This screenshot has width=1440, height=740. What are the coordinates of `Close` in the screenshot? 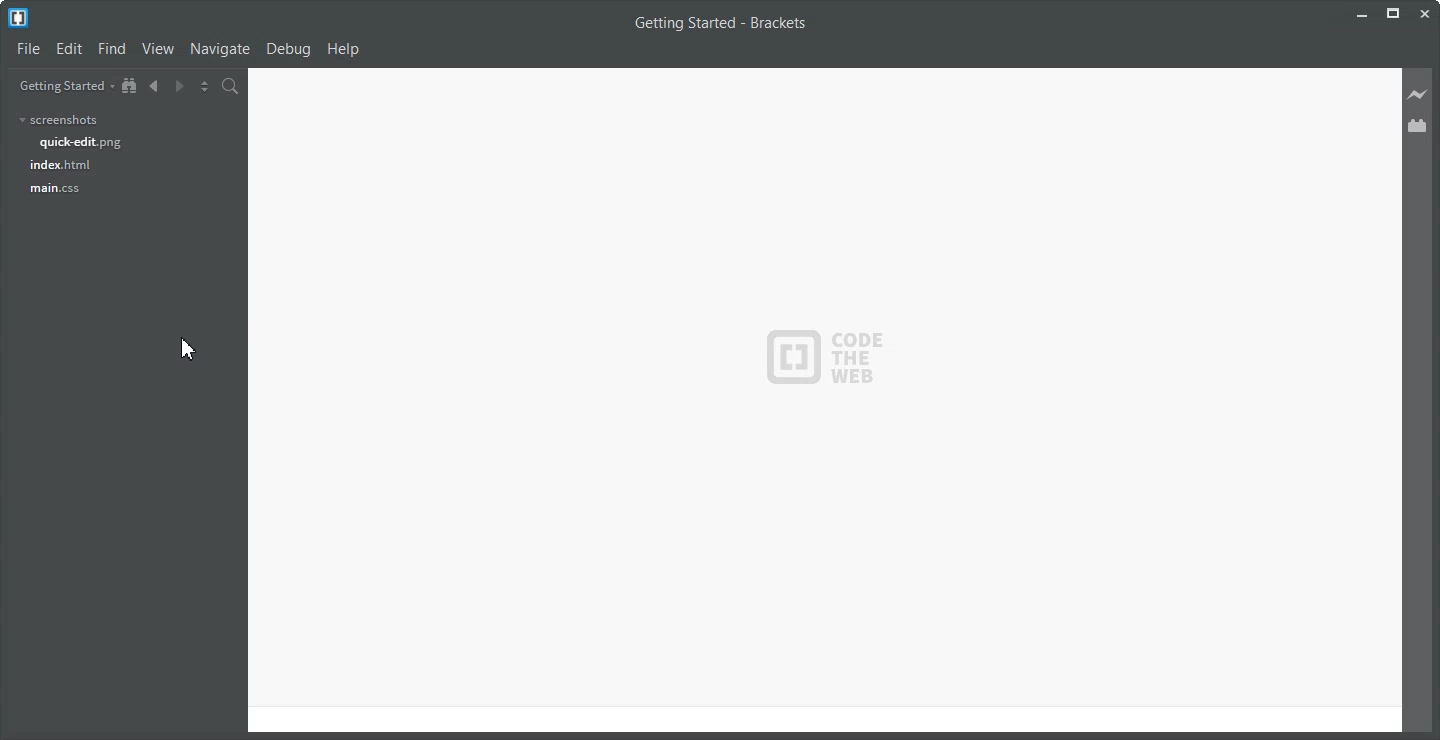 It's located at (1425, 12).